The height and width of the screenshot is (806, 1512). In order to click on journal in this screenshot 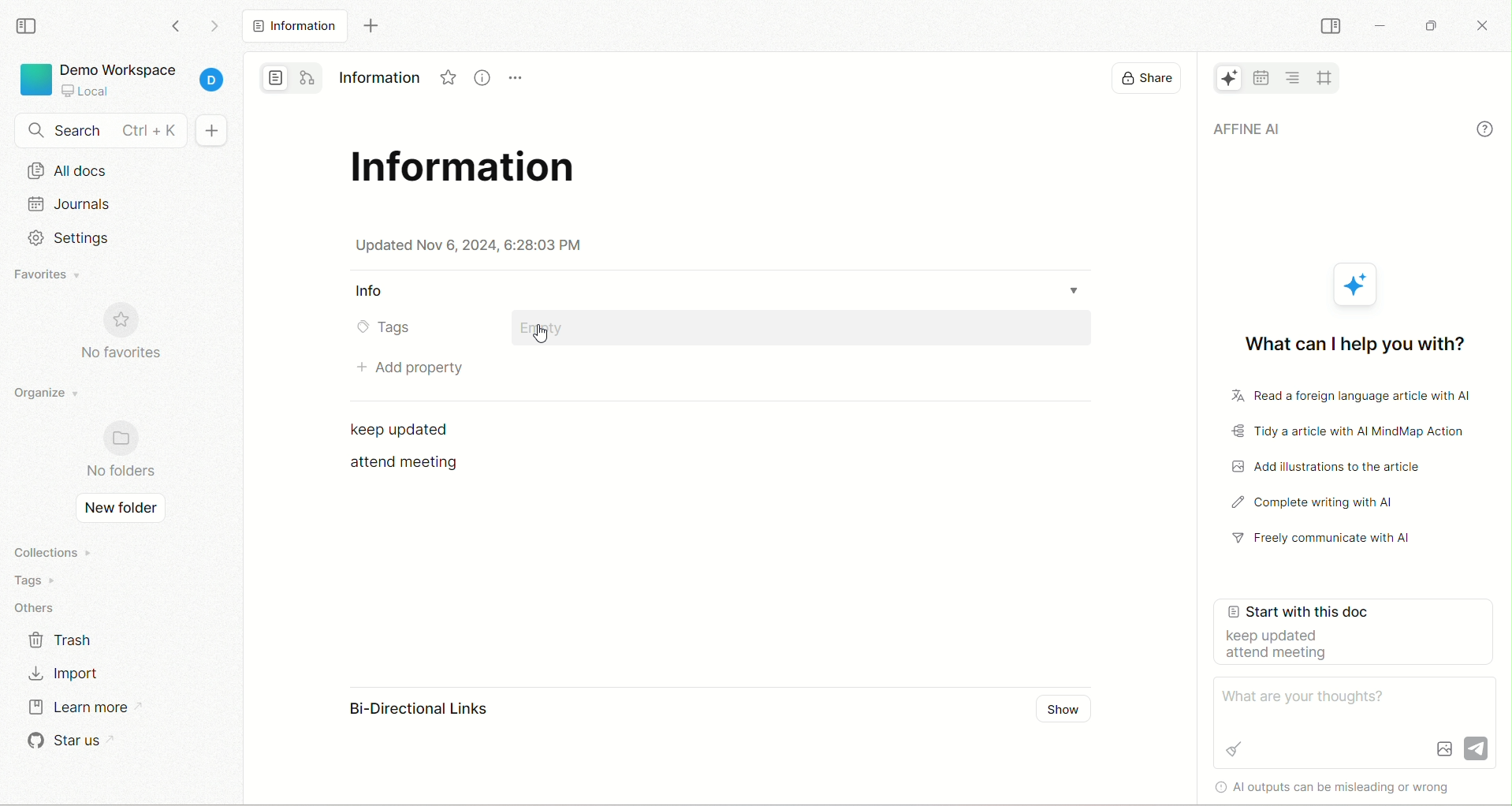, I will do `click(122, 208)`.